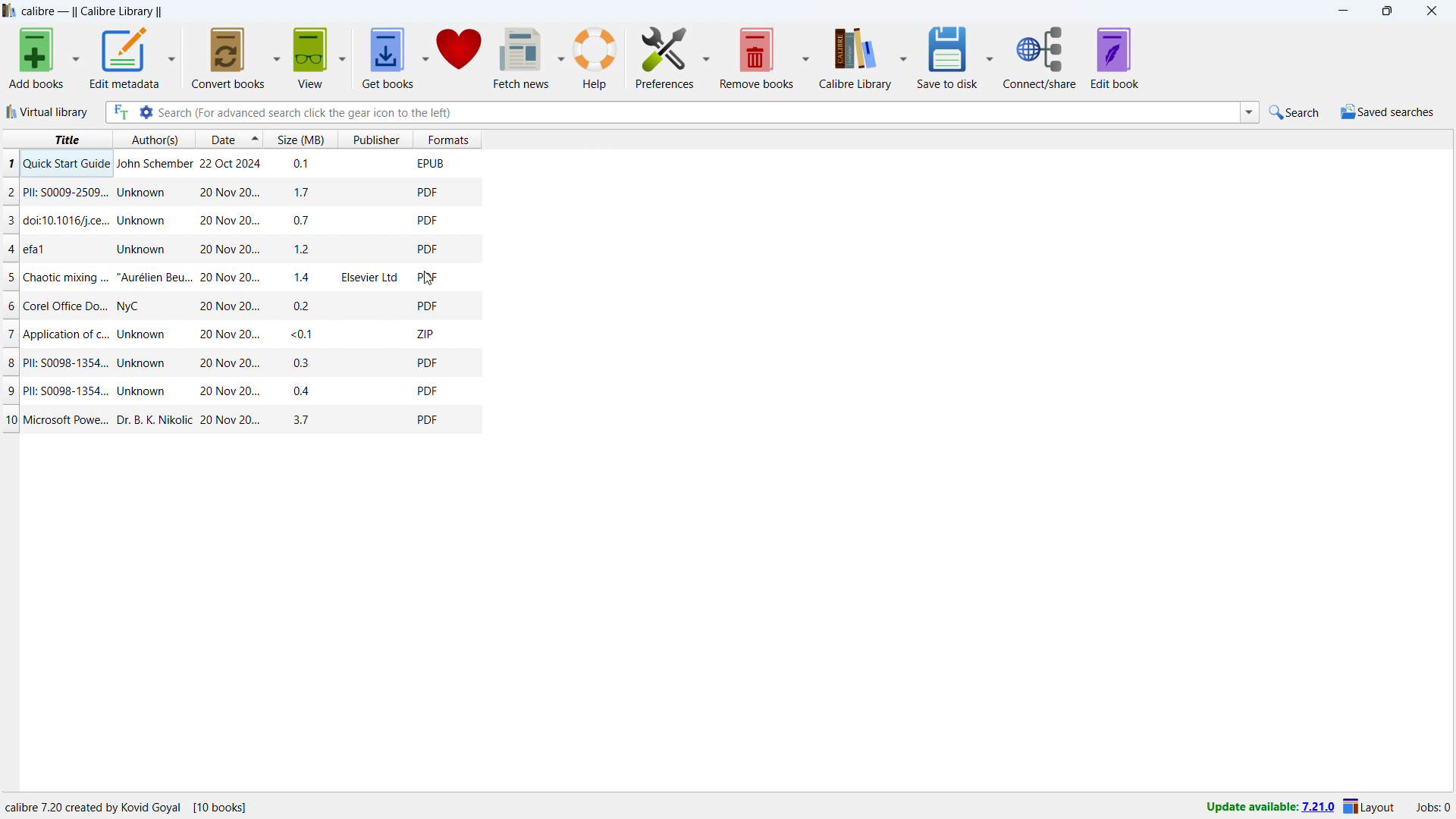 This screenshot has width=1456, height=819. Describe the element at coordinates (521, 58) in the screenshot. I see `` at that location.